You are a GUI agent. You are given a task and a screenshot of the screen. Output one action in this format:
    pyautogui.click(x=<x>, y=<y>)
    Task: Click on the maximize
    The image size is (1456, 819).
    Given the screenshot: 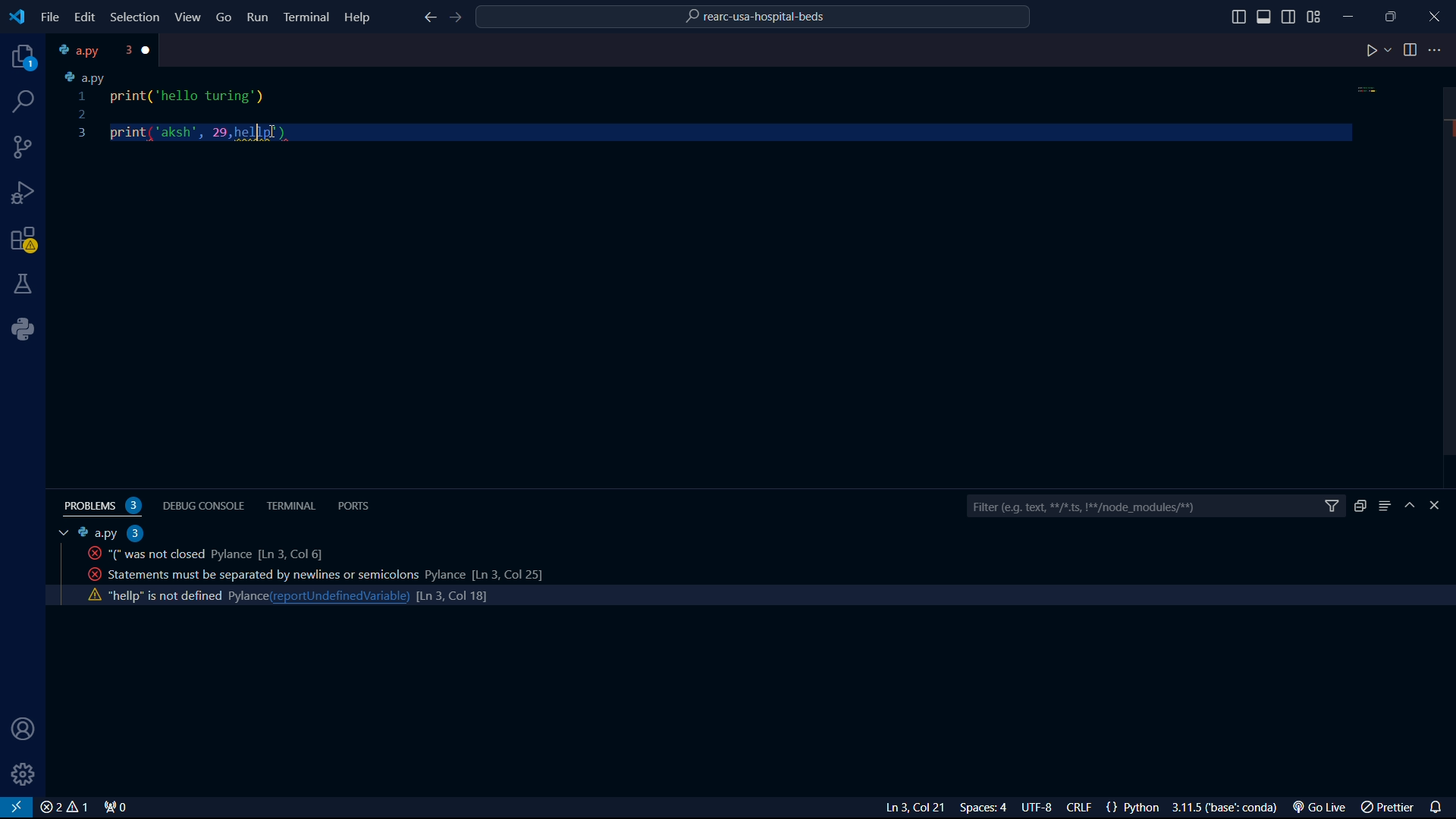 What is the action you would take?
    pyautogui.click(x=1393, y=16)
    